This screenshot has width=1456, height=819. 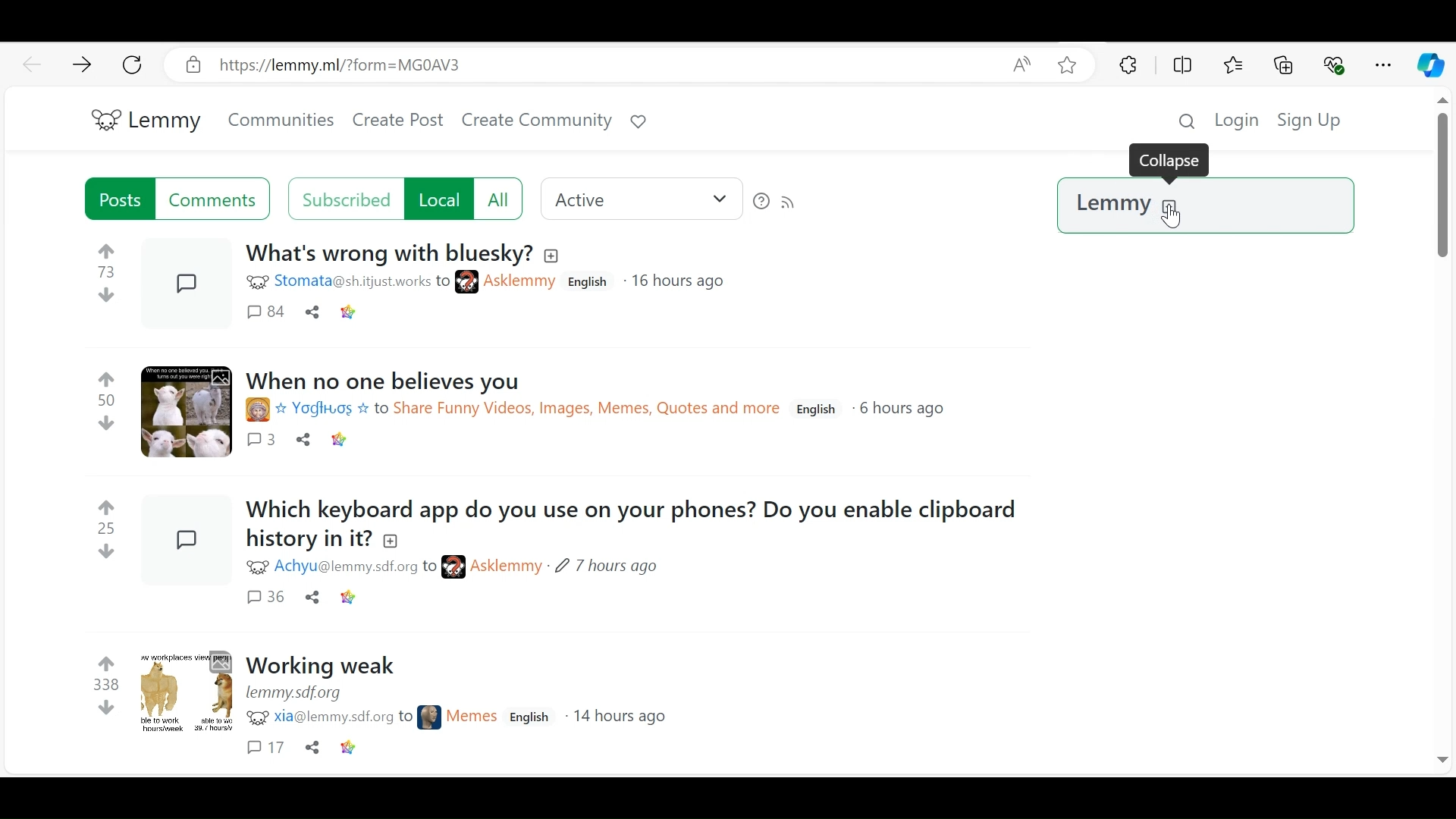 What do you see at coordinates (120, 198) in the screenshot?
I see `Posts` at bounding box center [120, 198].